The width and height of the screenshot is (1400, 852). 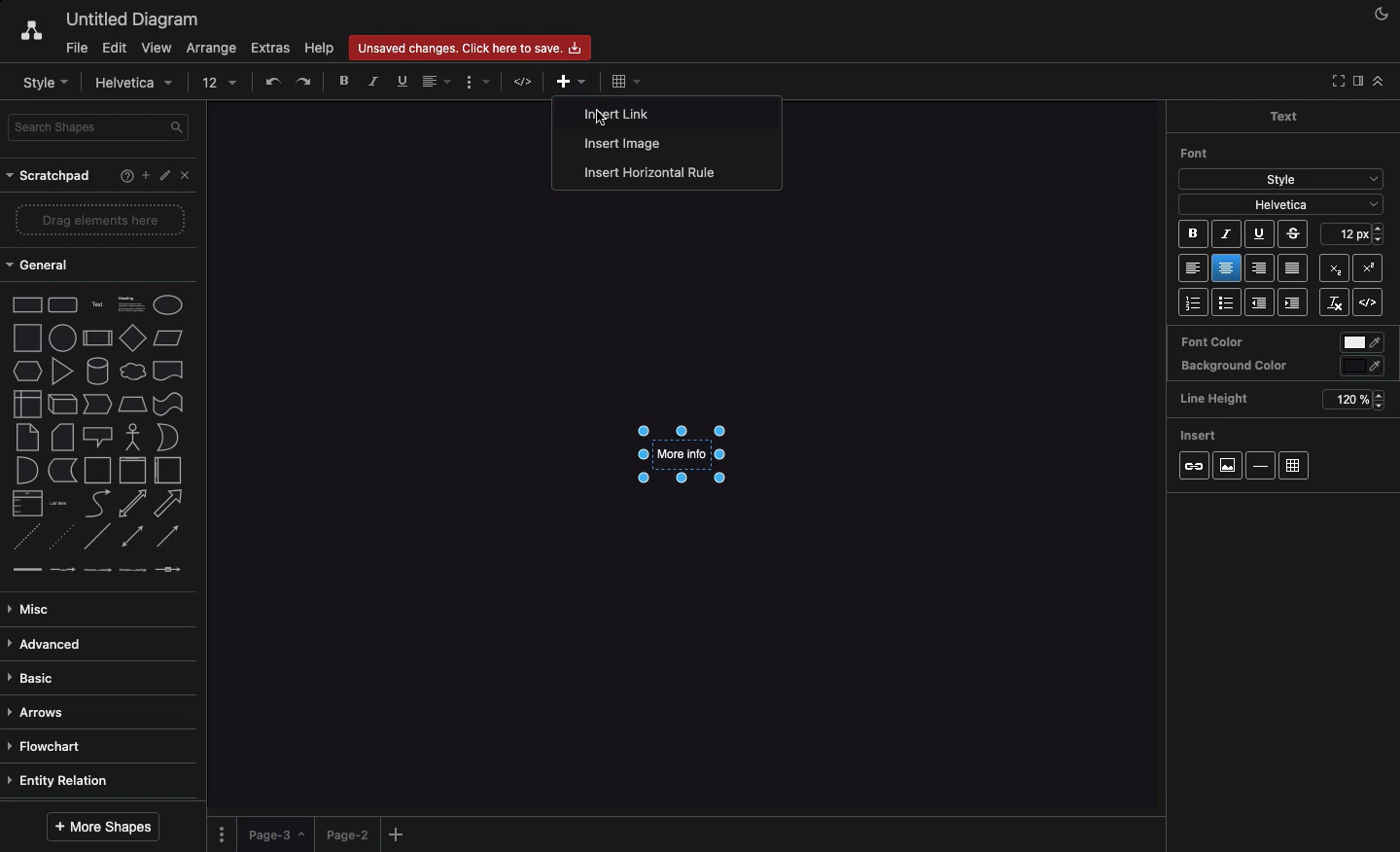 What do you see at coordinates (1333, 266) in the screenshot?
I see `Superscript ` at bounding box center [1333, 266].